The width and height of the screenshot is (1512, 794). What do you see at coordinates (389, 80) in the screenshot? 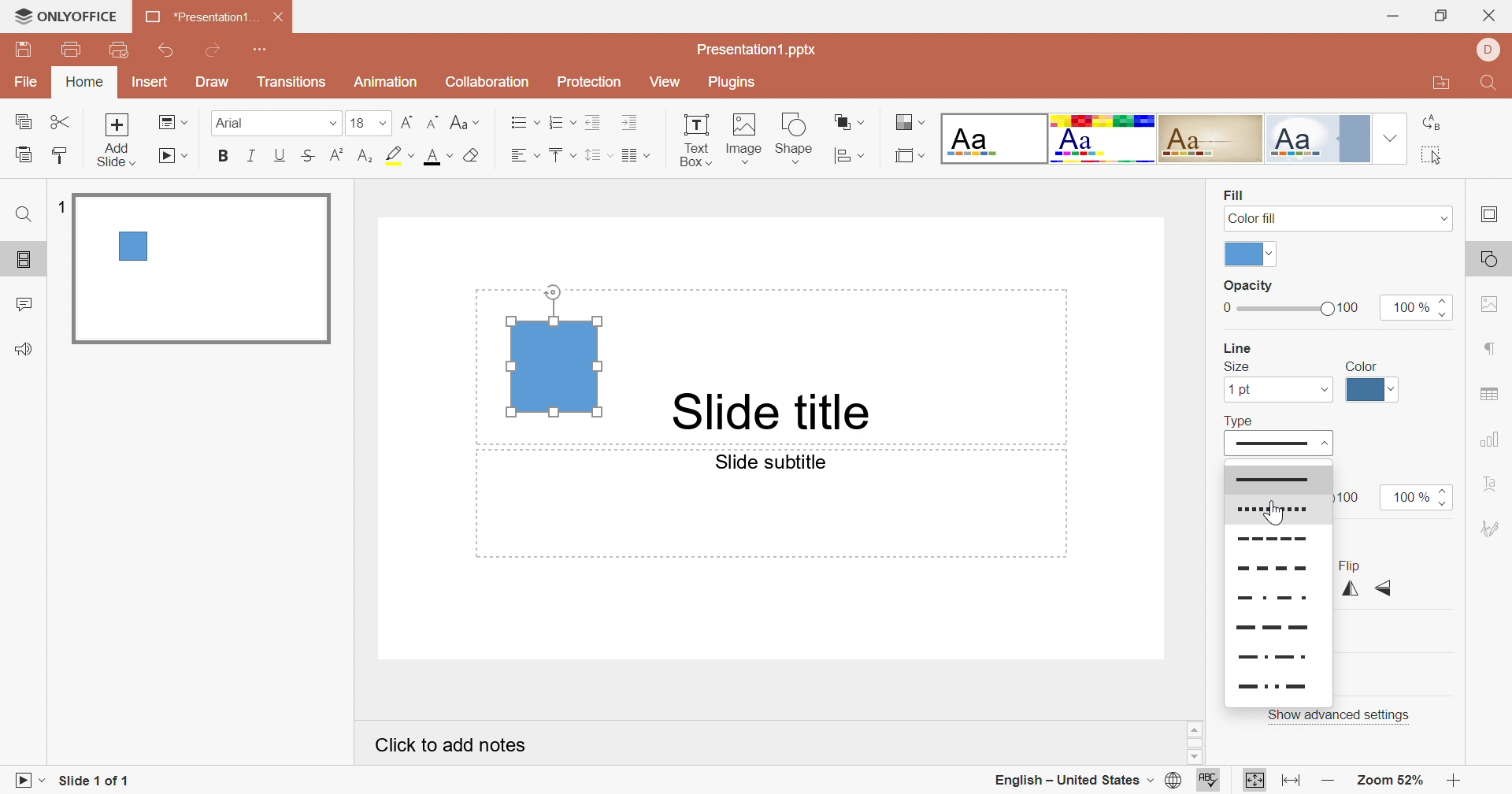
I see `Animation` at bounding box center [389, 80].